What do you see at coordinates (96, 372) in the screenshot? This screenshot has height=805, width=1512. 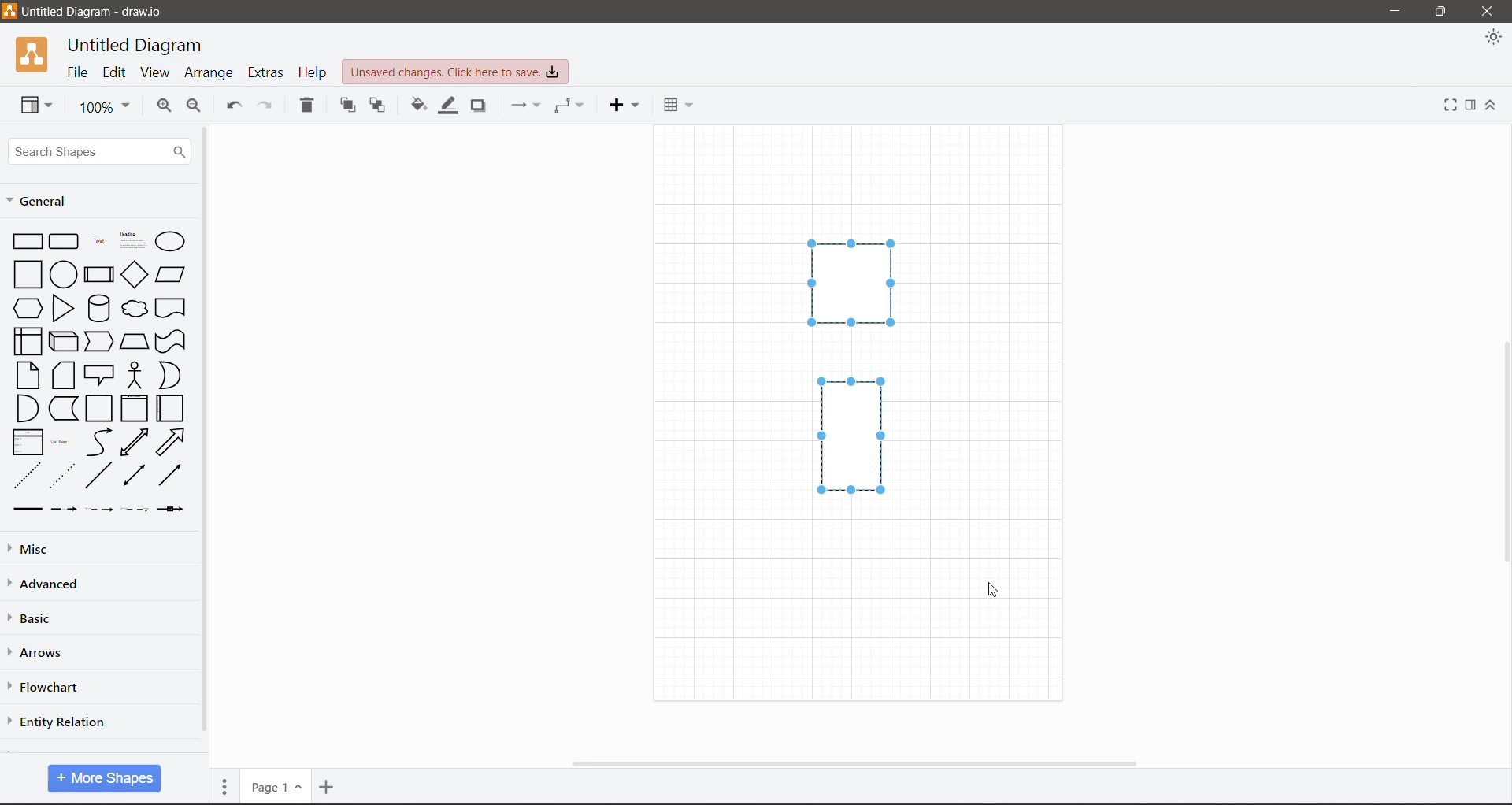 I see `Shapes available in General` at bounding box center [96, 372].